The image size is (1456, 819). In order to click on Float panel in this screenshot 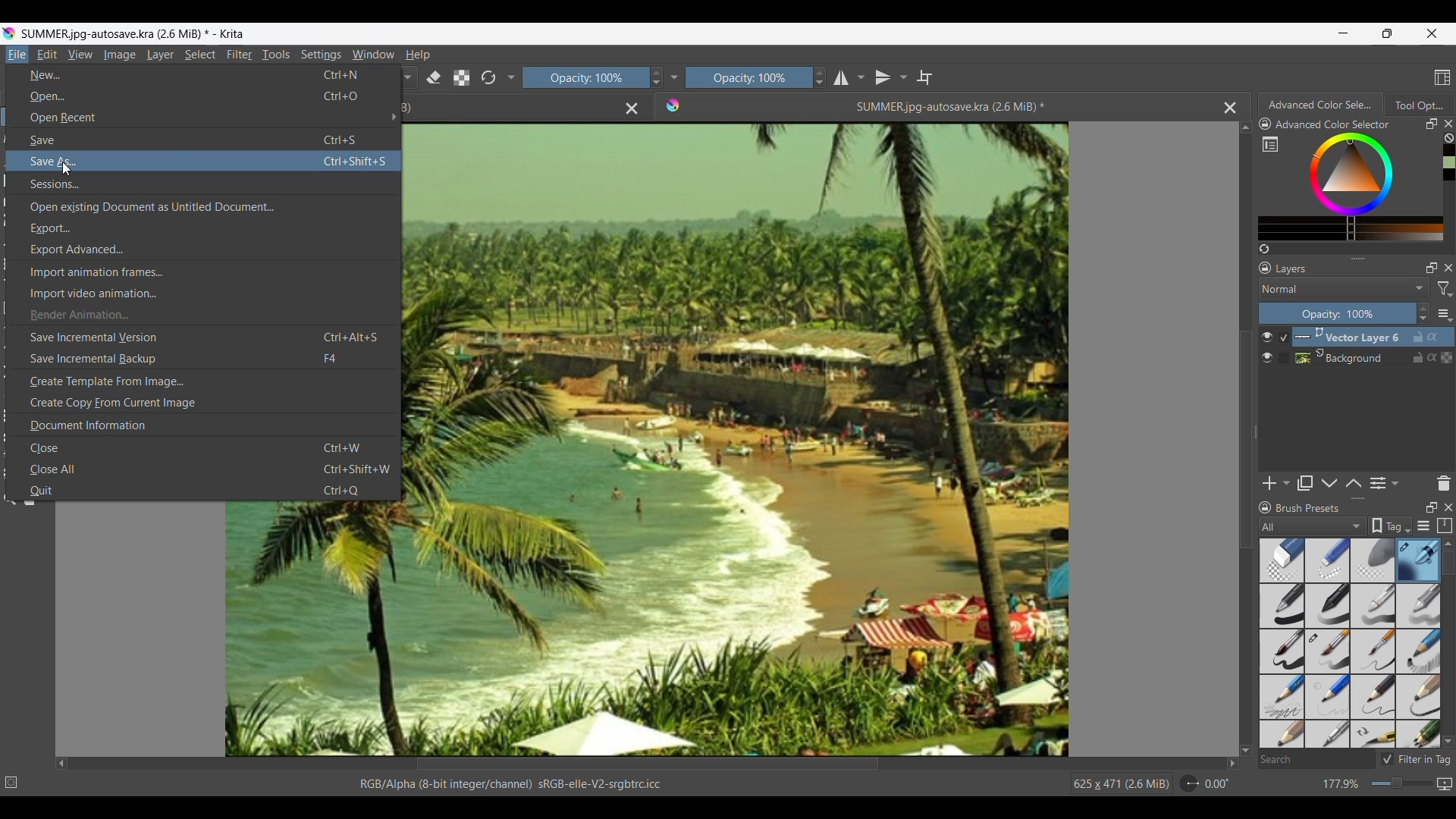, I will do `click(1431, 507)`.